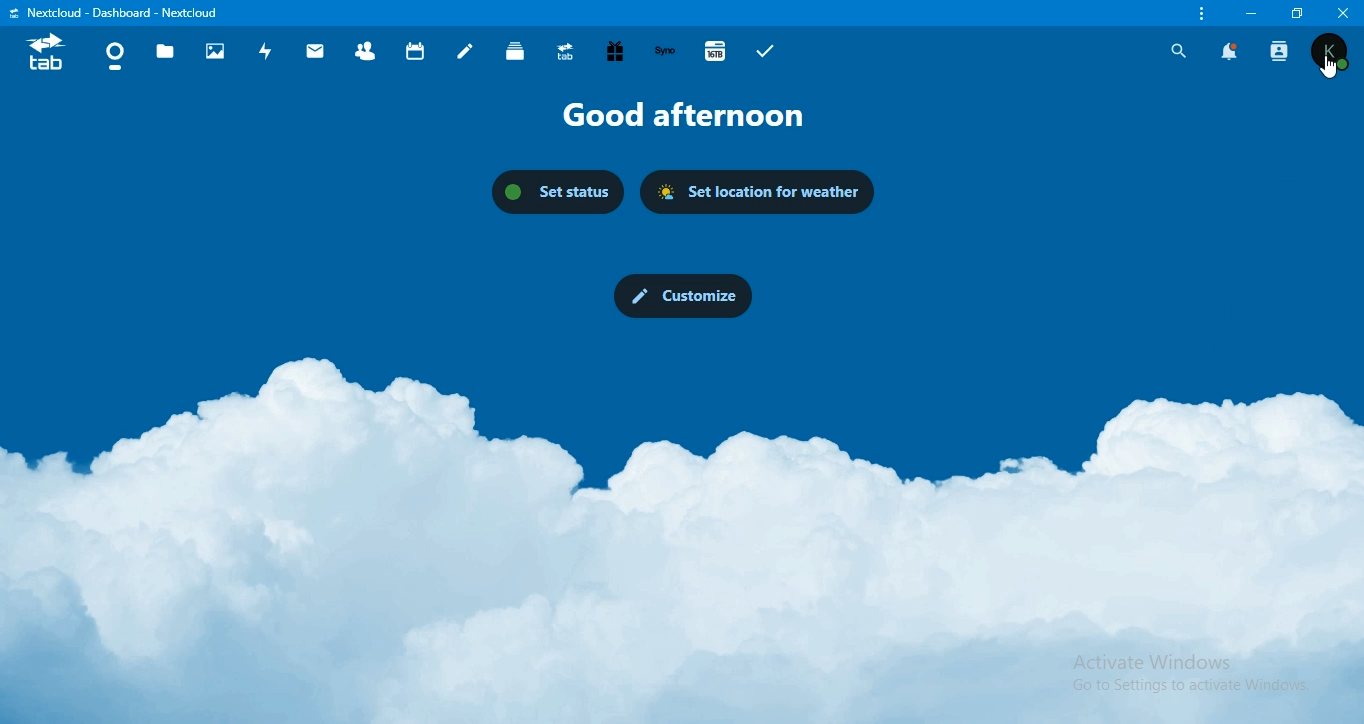 This screenshot has width=1364, height=724. I want to click on free trial, so click(616, 52).